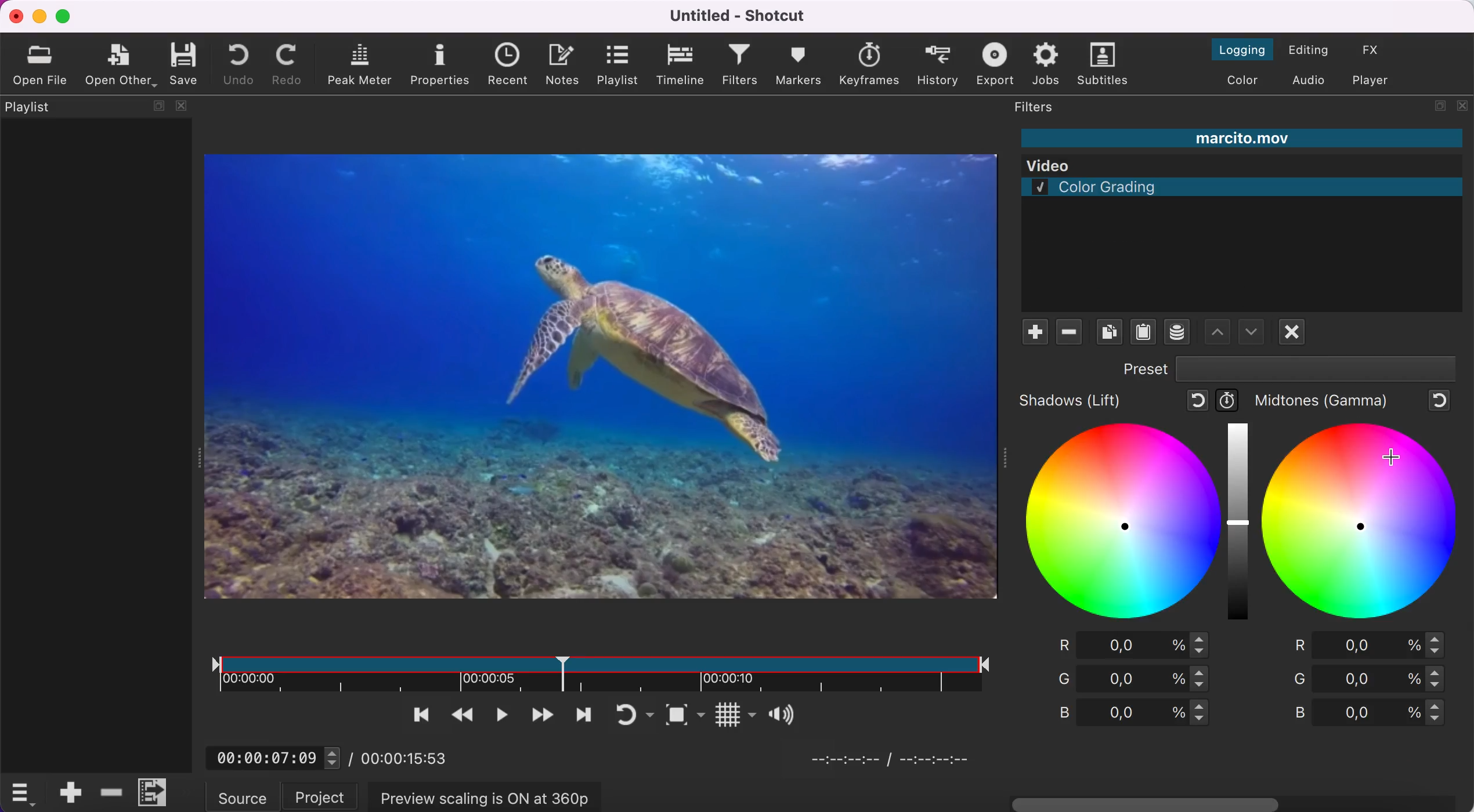 The image size is (1474, 812). I want to click on peak meter, so click(357, 65).